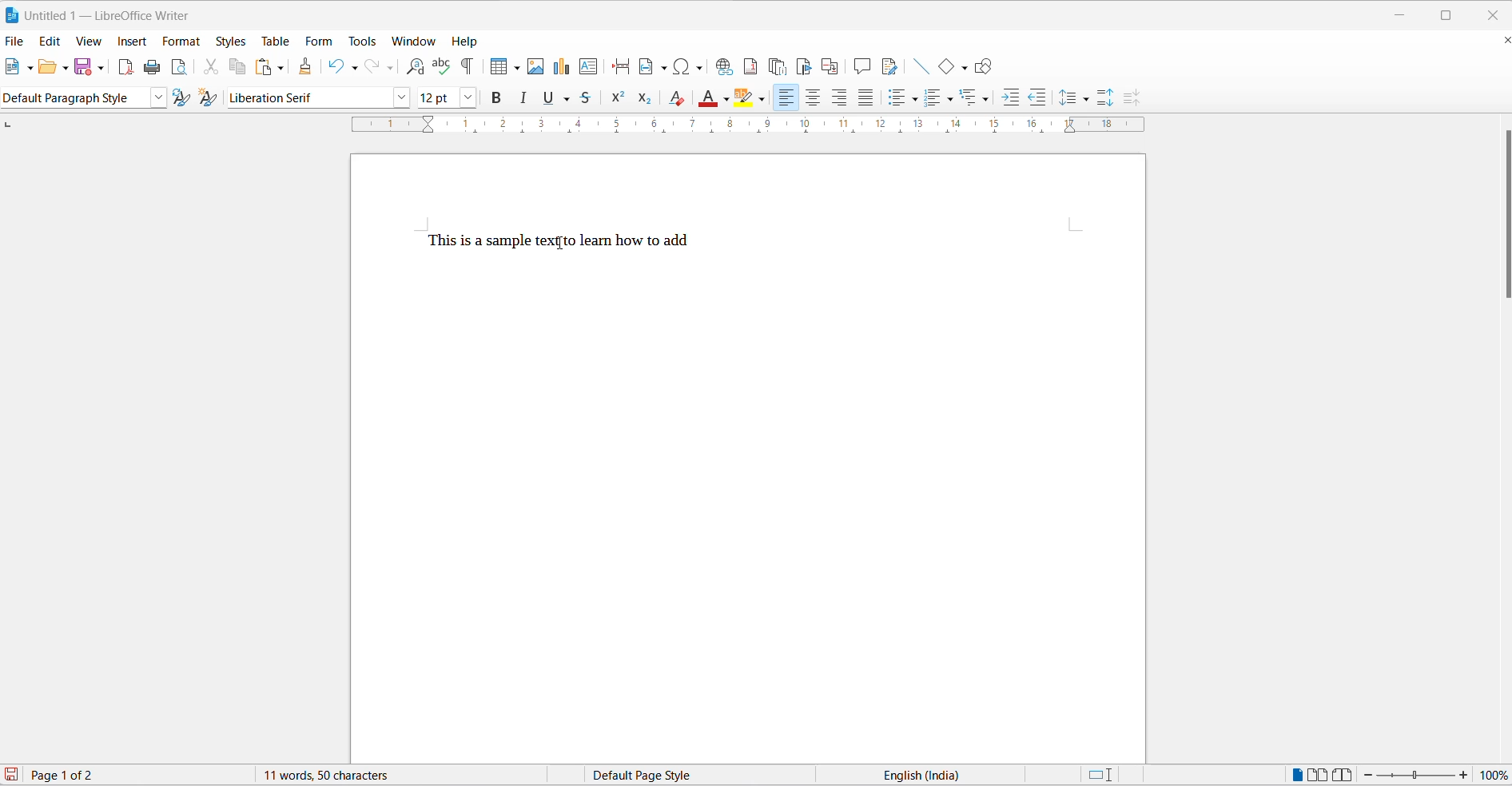 This screenshot has height=786, width=1512. Describe the element at coordinates (1009, 95) in the screenshot. I see `increase indent` at that location.